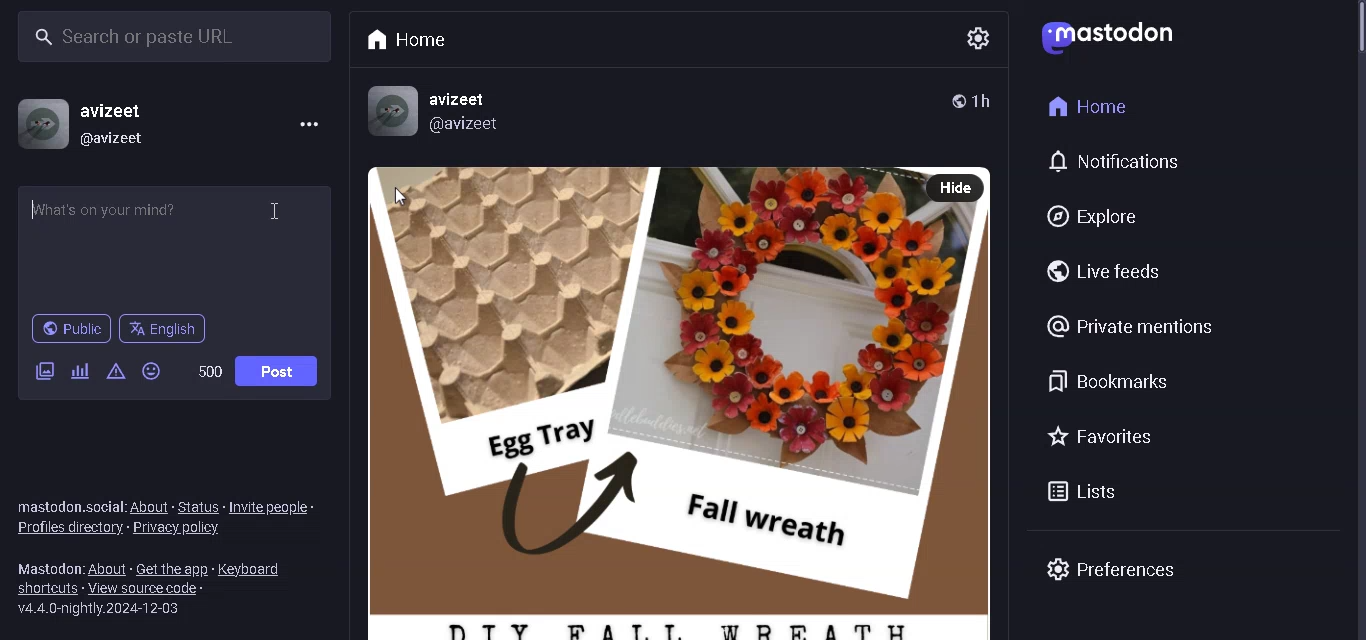 This screenshot has height=640, width=1366. I want to click on POST, so click(283, 371).